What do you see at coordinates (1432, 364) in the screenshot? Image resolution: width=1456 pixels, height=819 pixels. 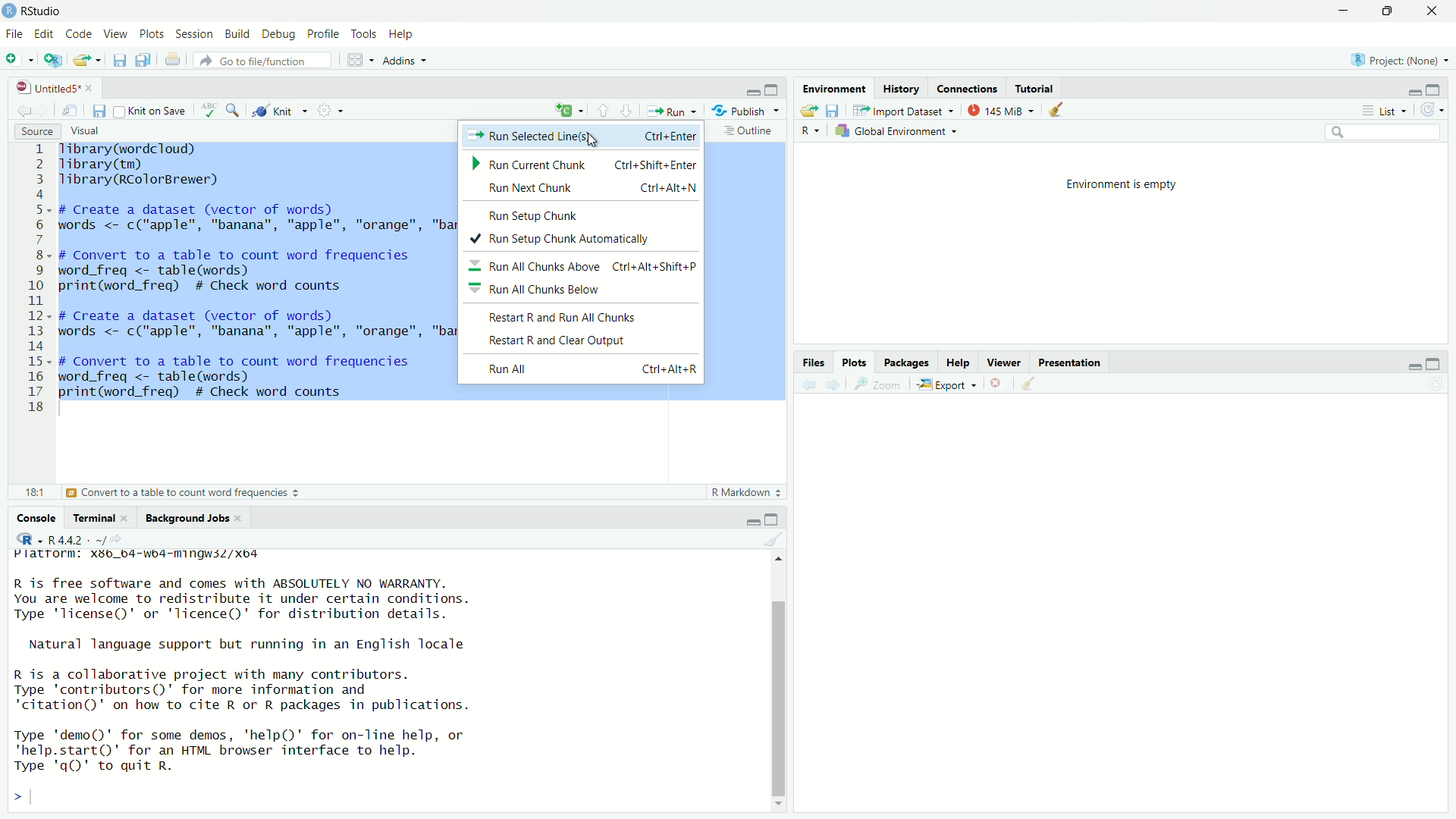 I see `Maximize` at bounding box center [1432, 364].